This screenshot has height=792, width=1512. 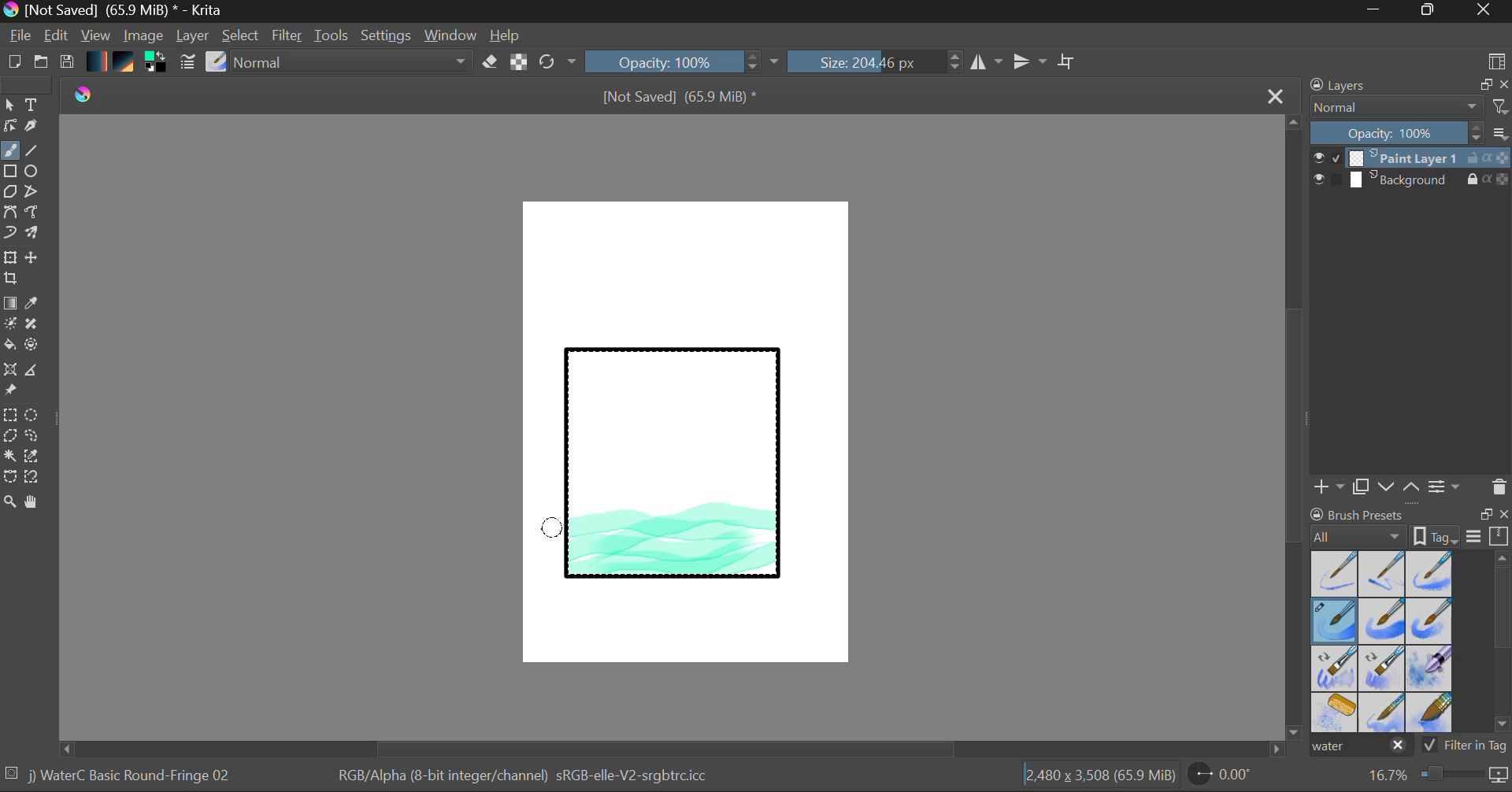 What do you see at coordinates (1466, 747) in the screenshot?
I see `Filter in Tag Option` at bounding box center [1466, 747].